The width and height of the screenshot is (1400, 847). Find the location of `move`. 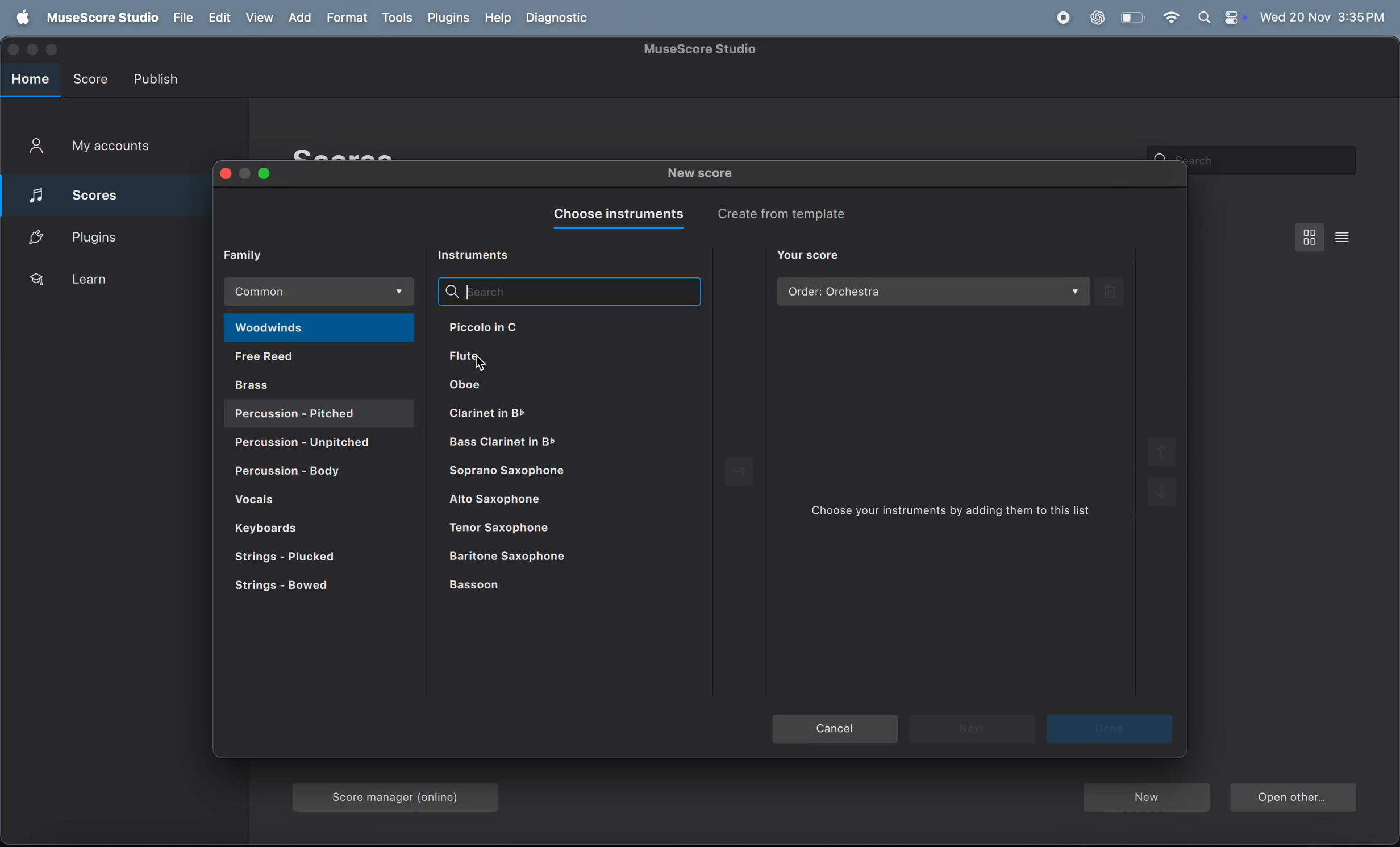

move is located at coordinates (743, 473).